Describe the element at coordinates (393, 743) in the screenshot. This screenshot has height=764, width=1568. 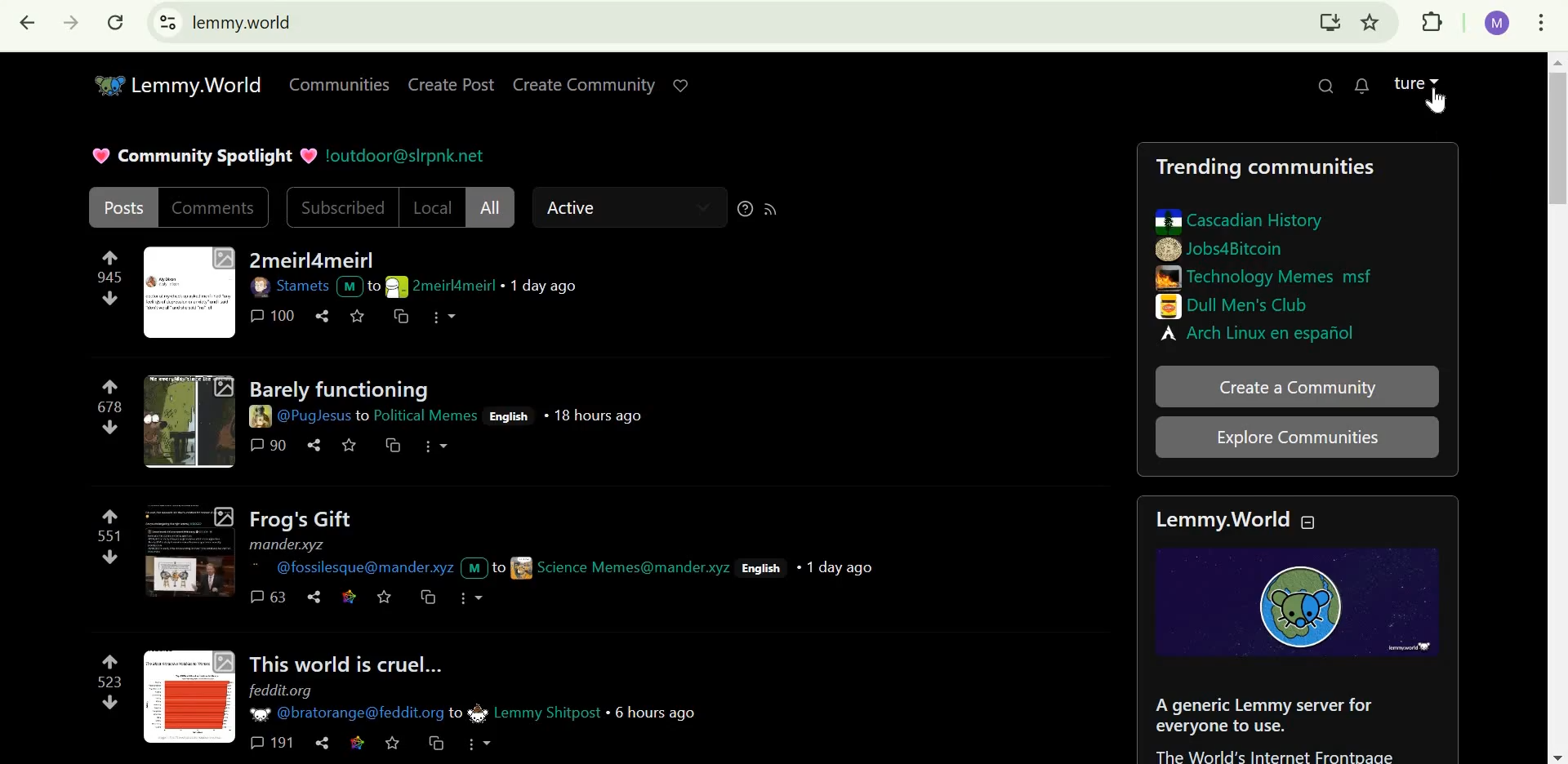
I see `save` at that location.